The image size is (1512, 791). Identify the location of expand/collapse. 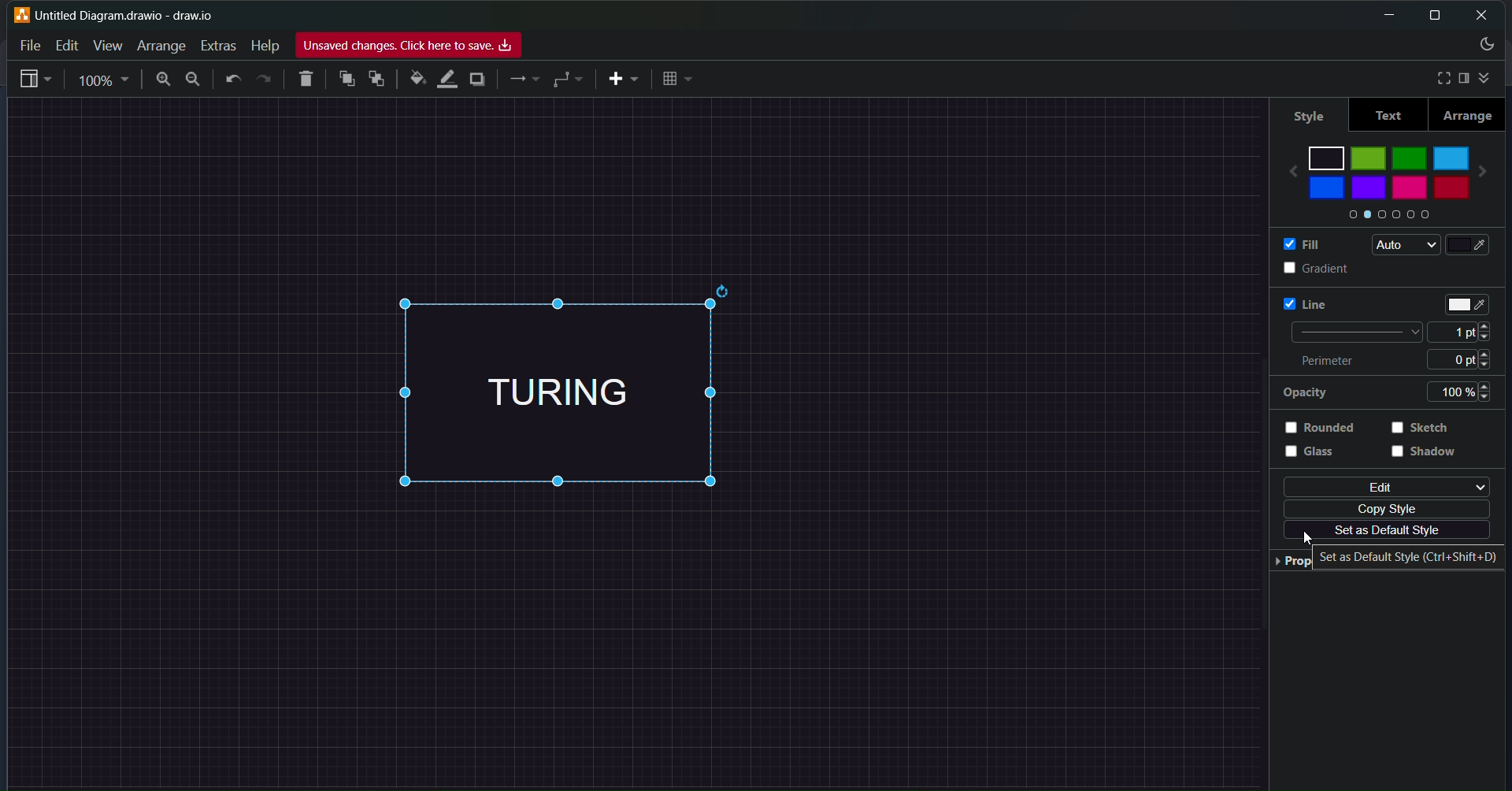
(1488, 76).